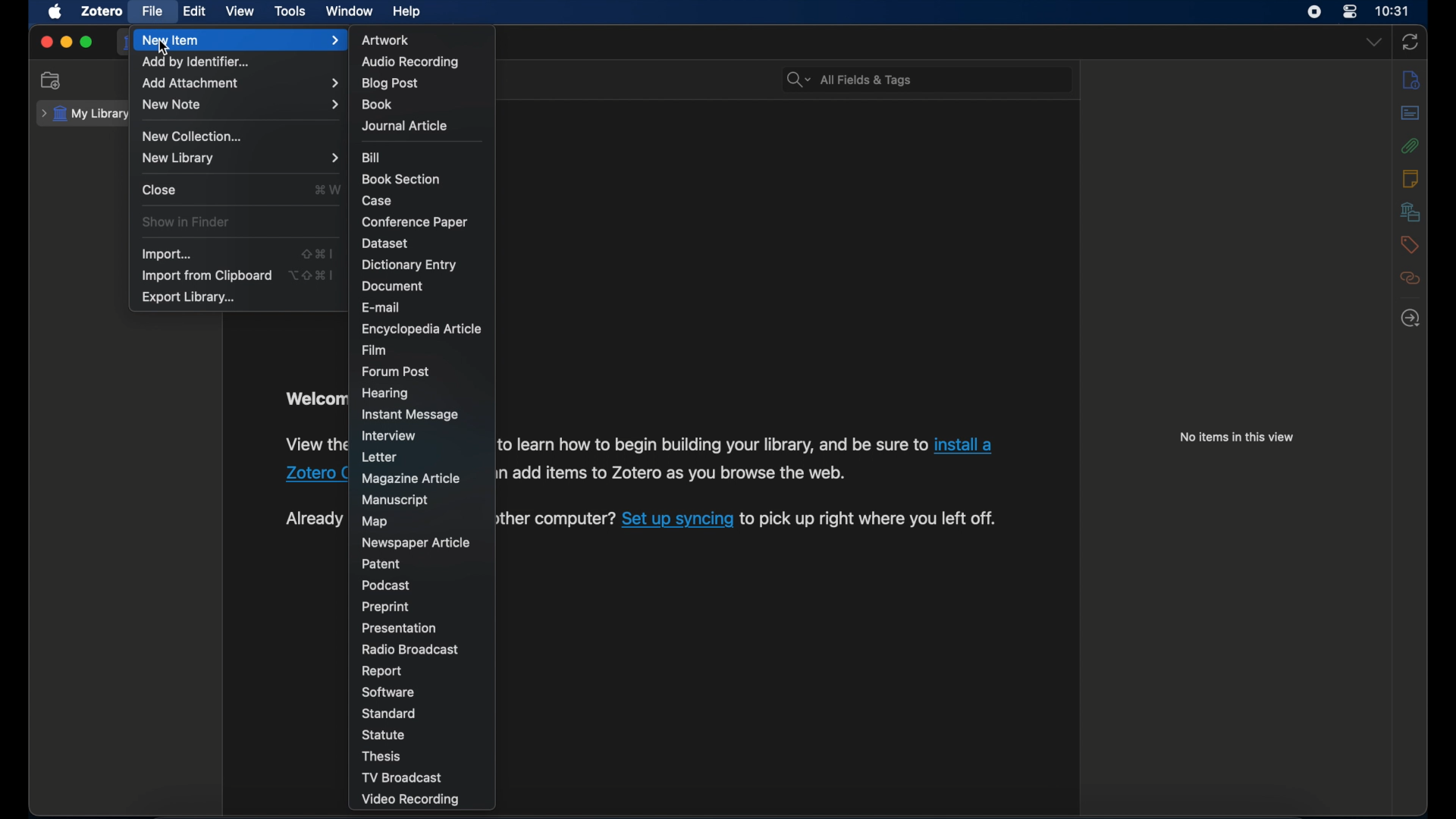  I want to click on tv broadcast, so click(404, 778).